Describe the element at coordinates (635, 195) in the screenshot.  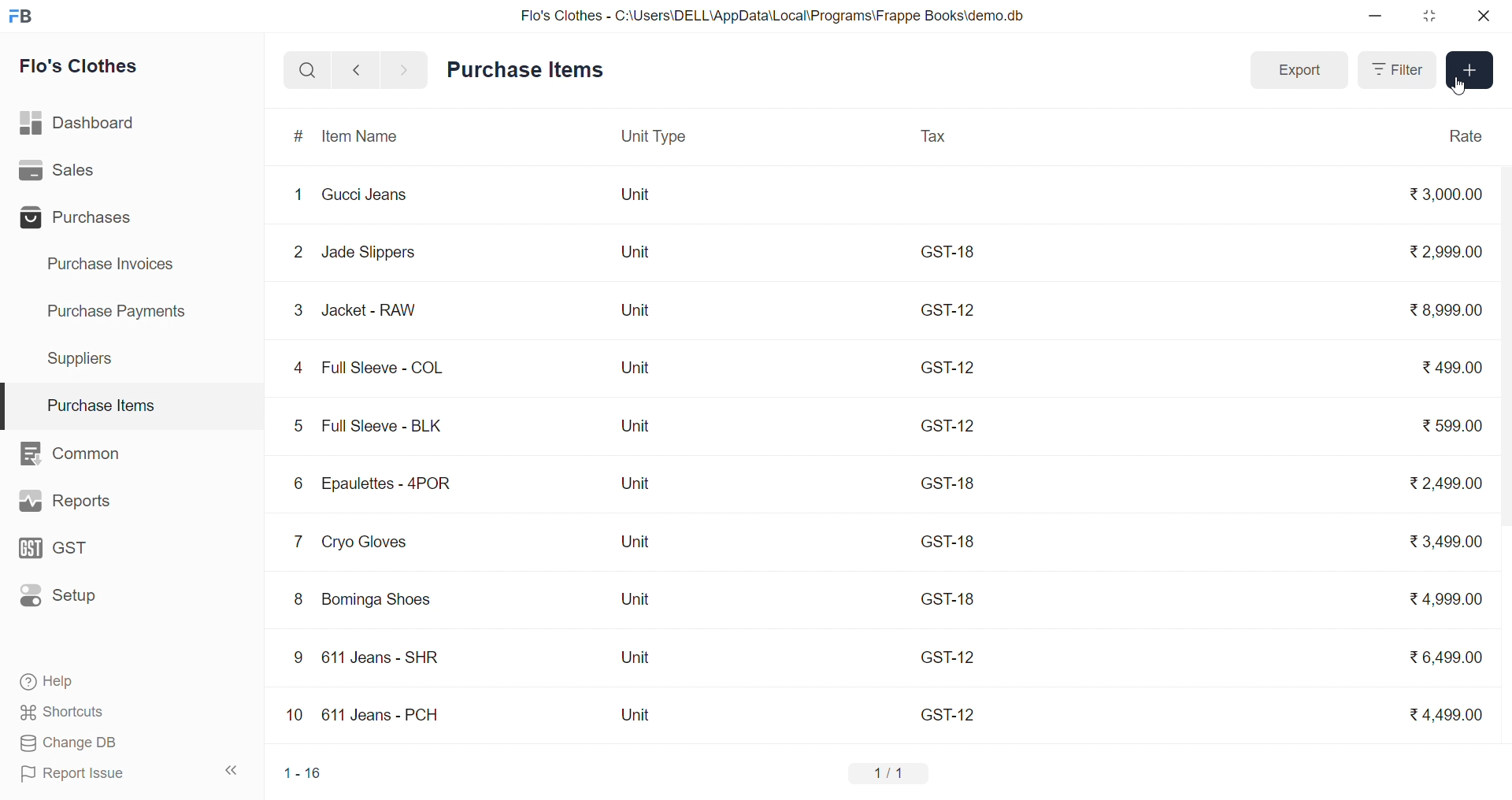
I see `Unit` at that location.